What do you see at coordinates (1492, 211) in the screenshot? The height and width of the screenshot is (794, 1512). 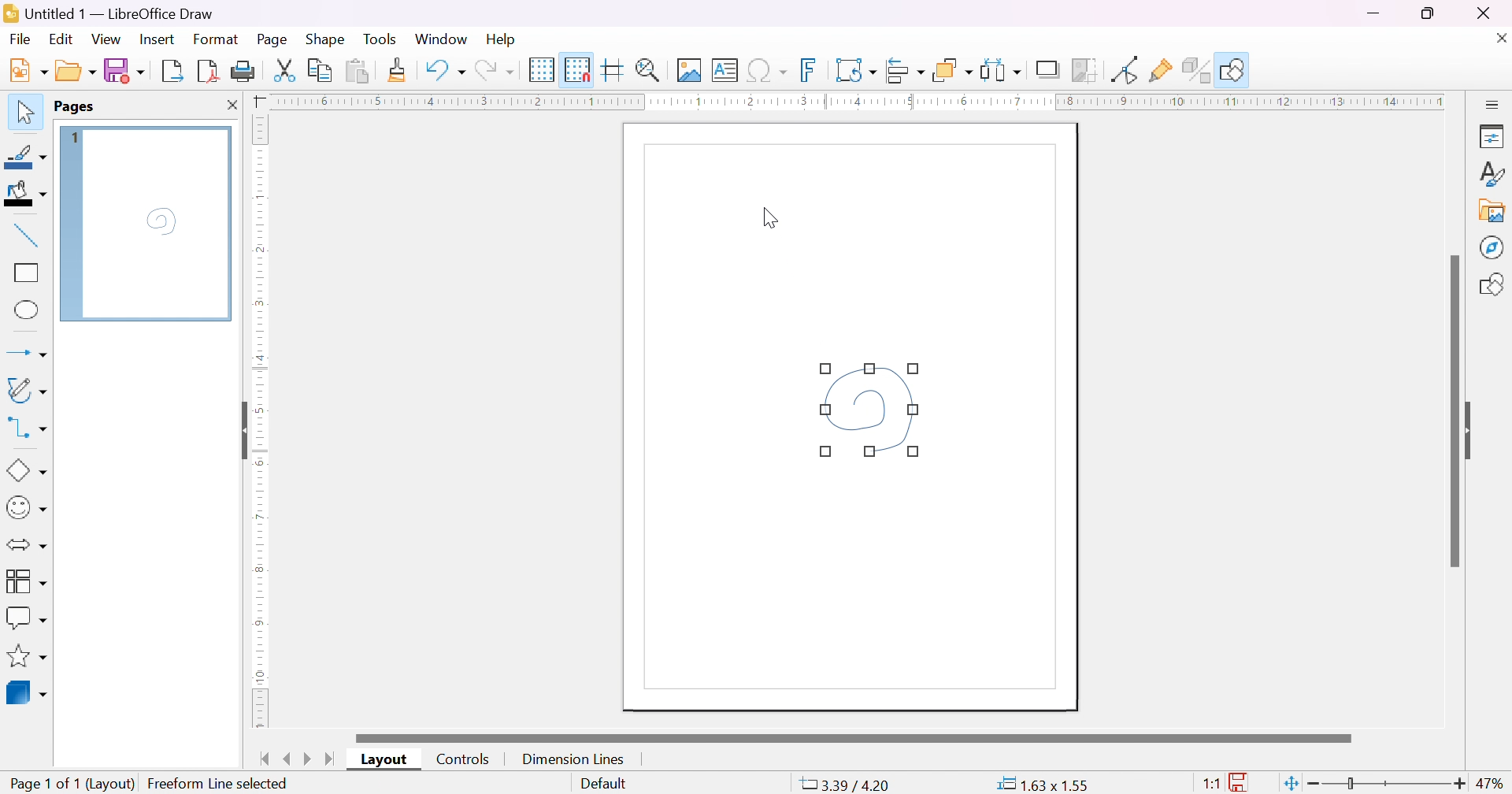 I see `gallery` at bounding box center [1492, 211].